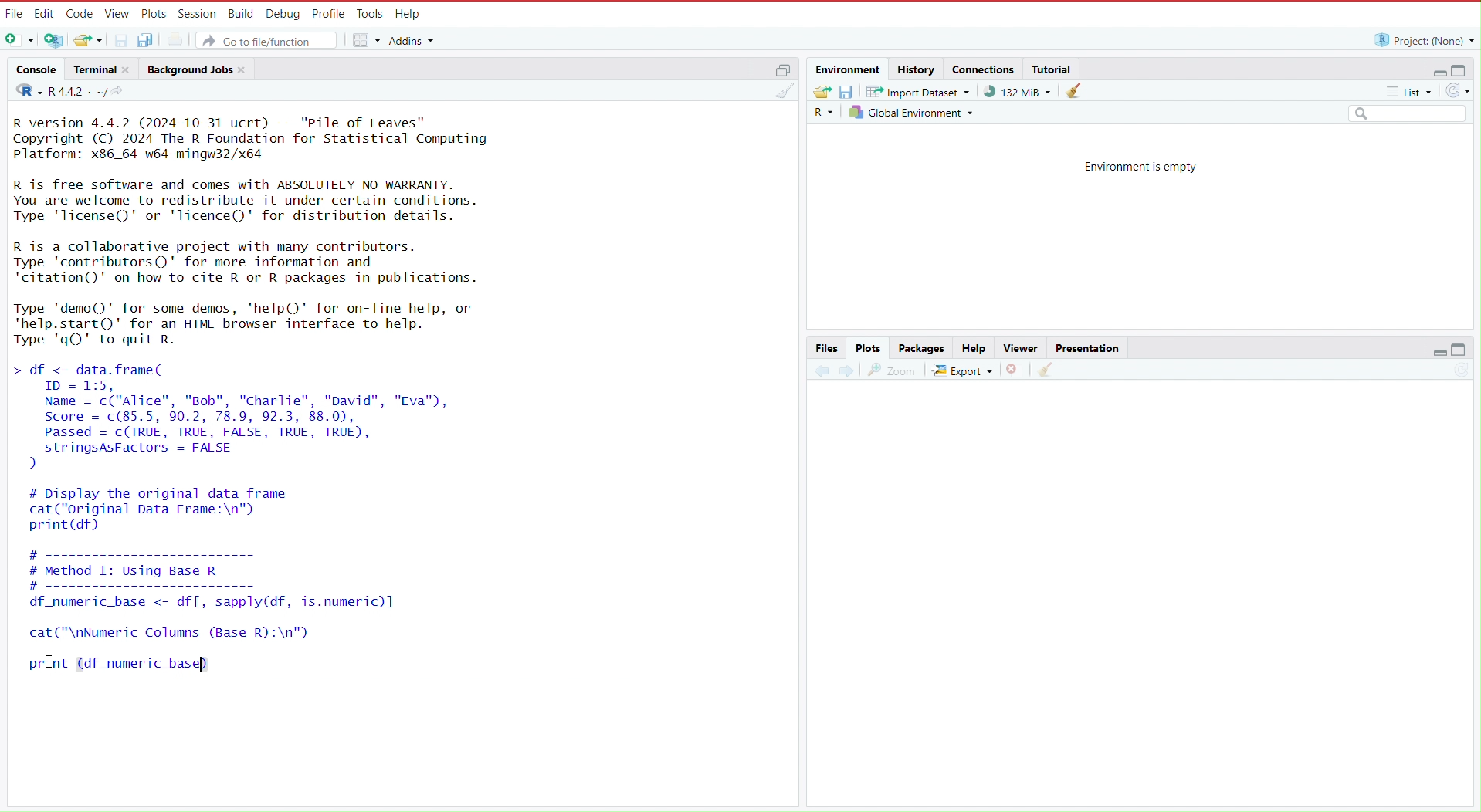 The width and height of the screenshot is (1481, 812). Describe the element at coordinates (118, 13) in the screenshot. I see `View` at that location.